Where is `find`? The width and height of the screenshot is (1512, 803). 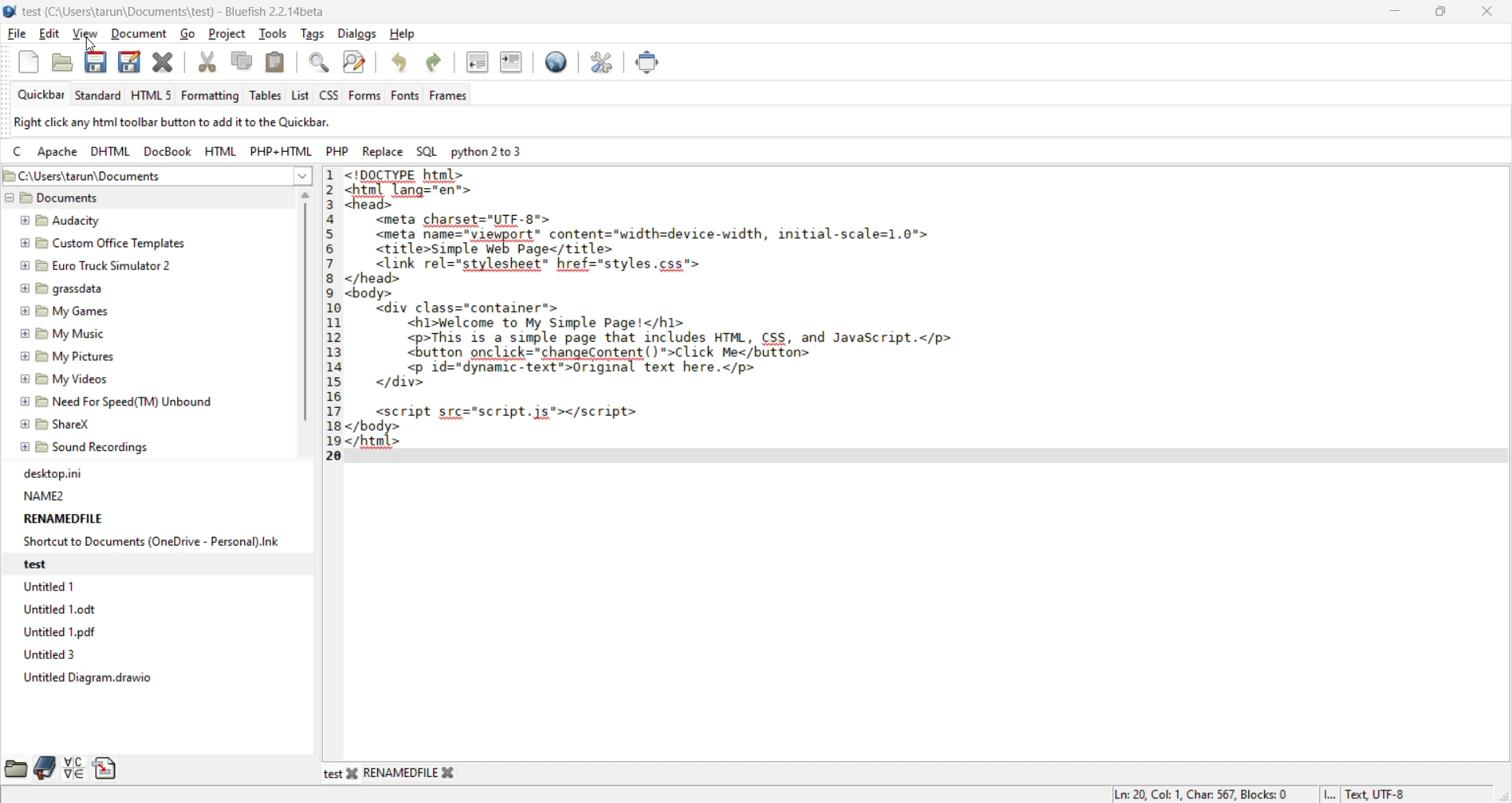 find is located at coordinates (317, 62).